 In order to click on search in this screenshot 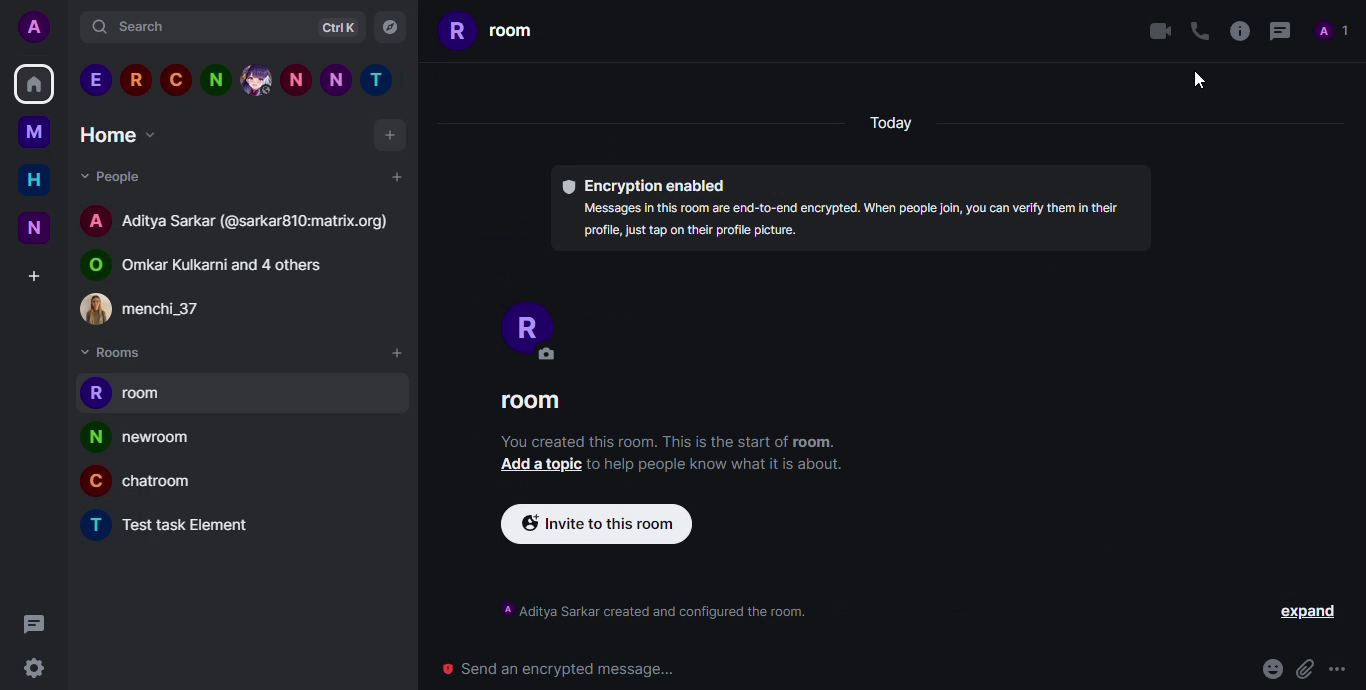, I will do `click(141, 28)`.